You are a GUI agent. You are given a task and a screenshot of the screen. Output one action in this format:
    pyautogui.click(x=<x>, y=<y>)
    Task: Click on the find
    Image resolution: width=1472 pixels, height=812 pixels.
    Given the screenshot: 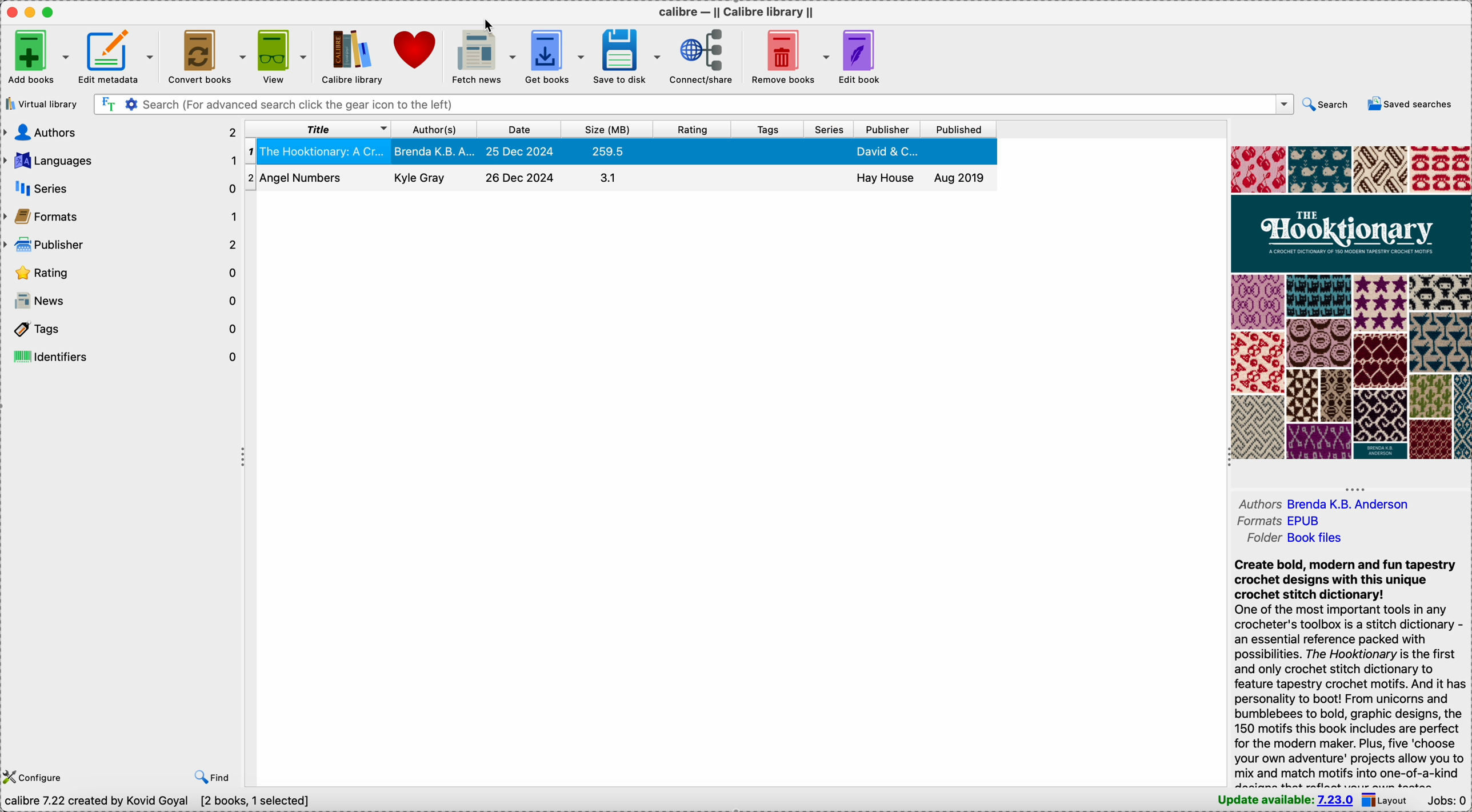 What is the action you would take?
    pyautogui.click(x=210, y=778)
    